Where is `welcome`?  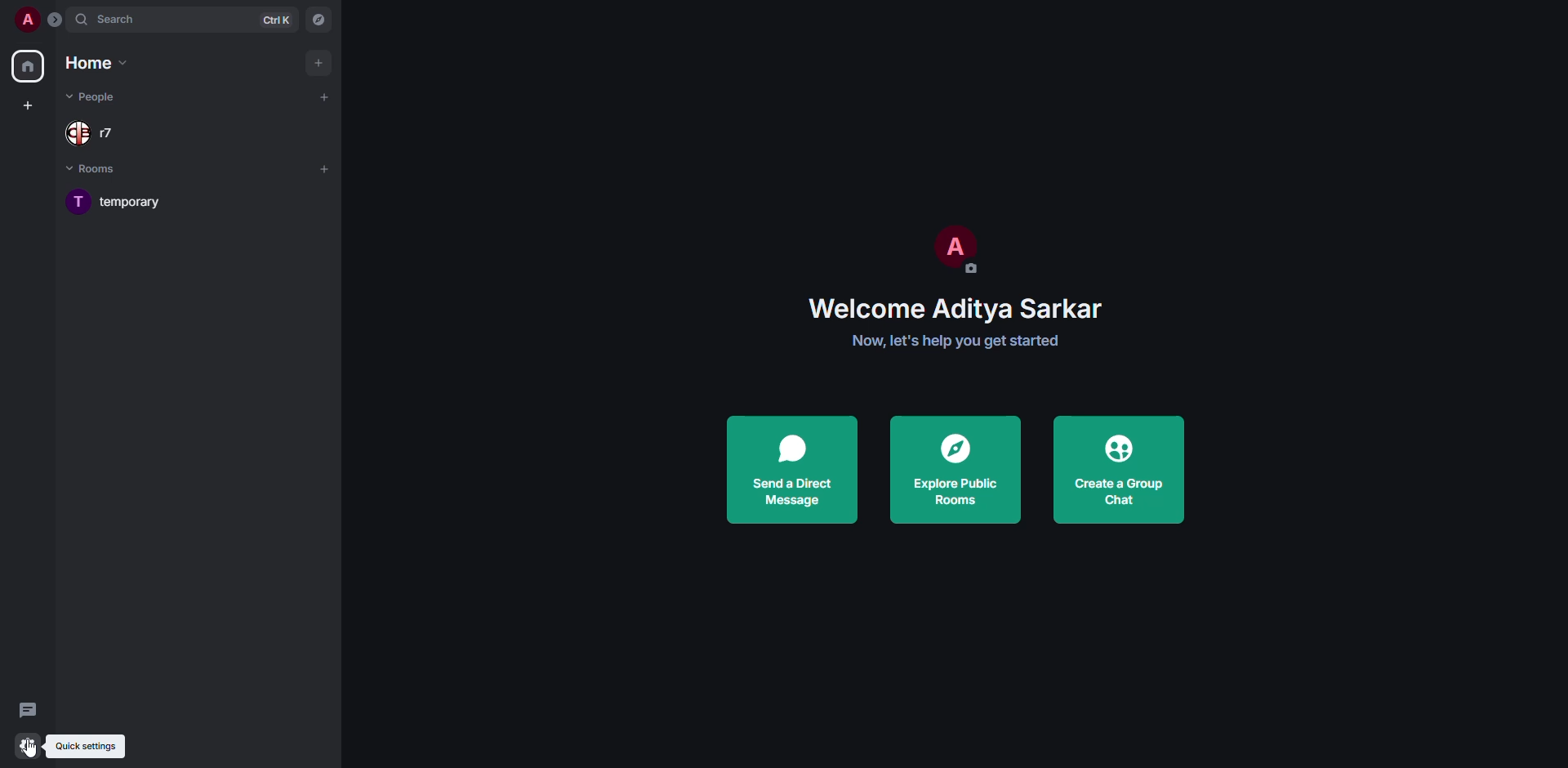 welcome is located at coordinates (958, 309).